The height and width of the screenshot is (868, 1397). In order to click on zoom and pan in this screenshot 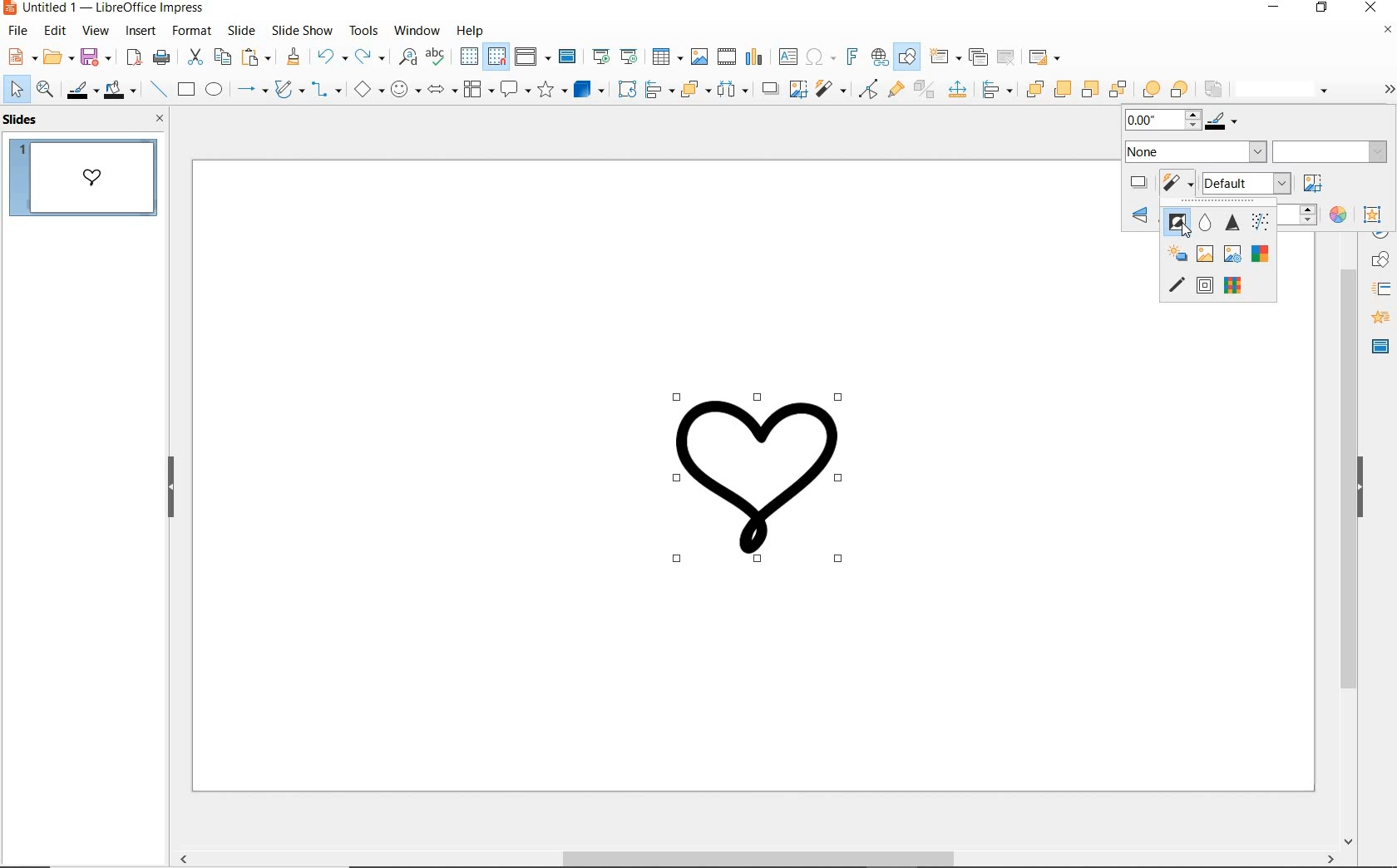, I will do `click(43, 89)`.